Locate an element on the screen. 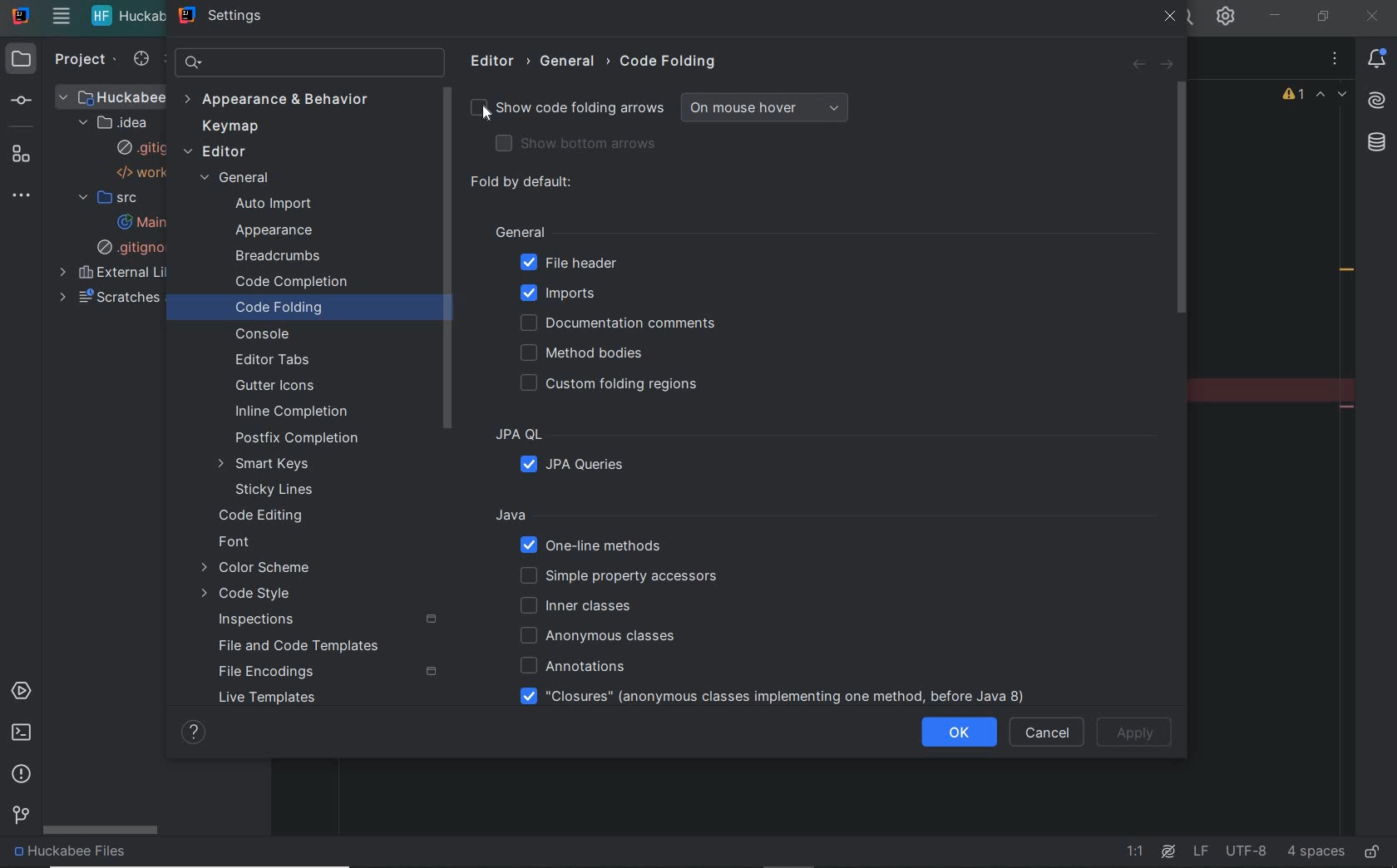  AI assistant is located at coordinates (1380, 98).